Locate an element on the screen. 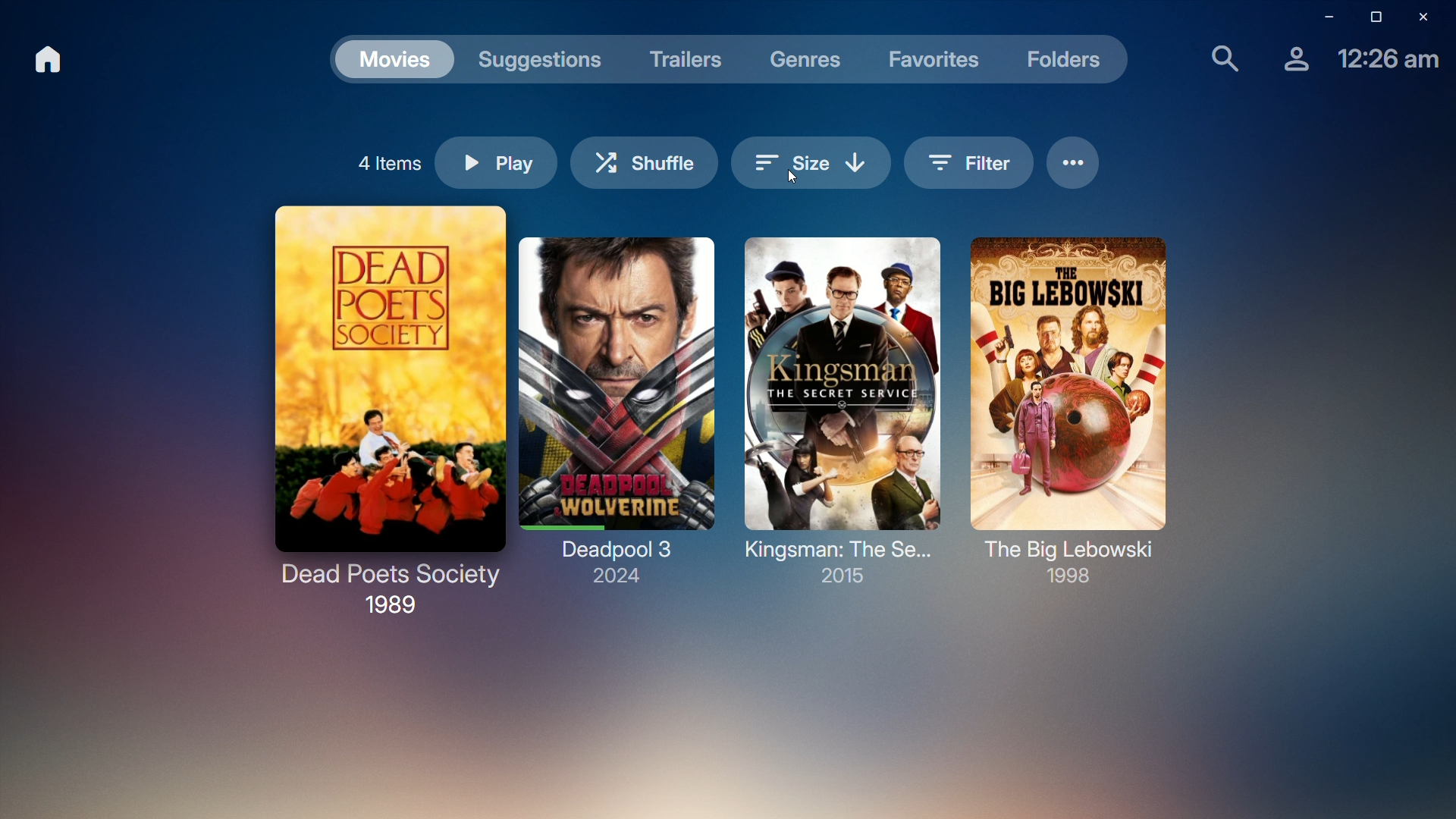  Favorites is located at coordinates (936, 59).